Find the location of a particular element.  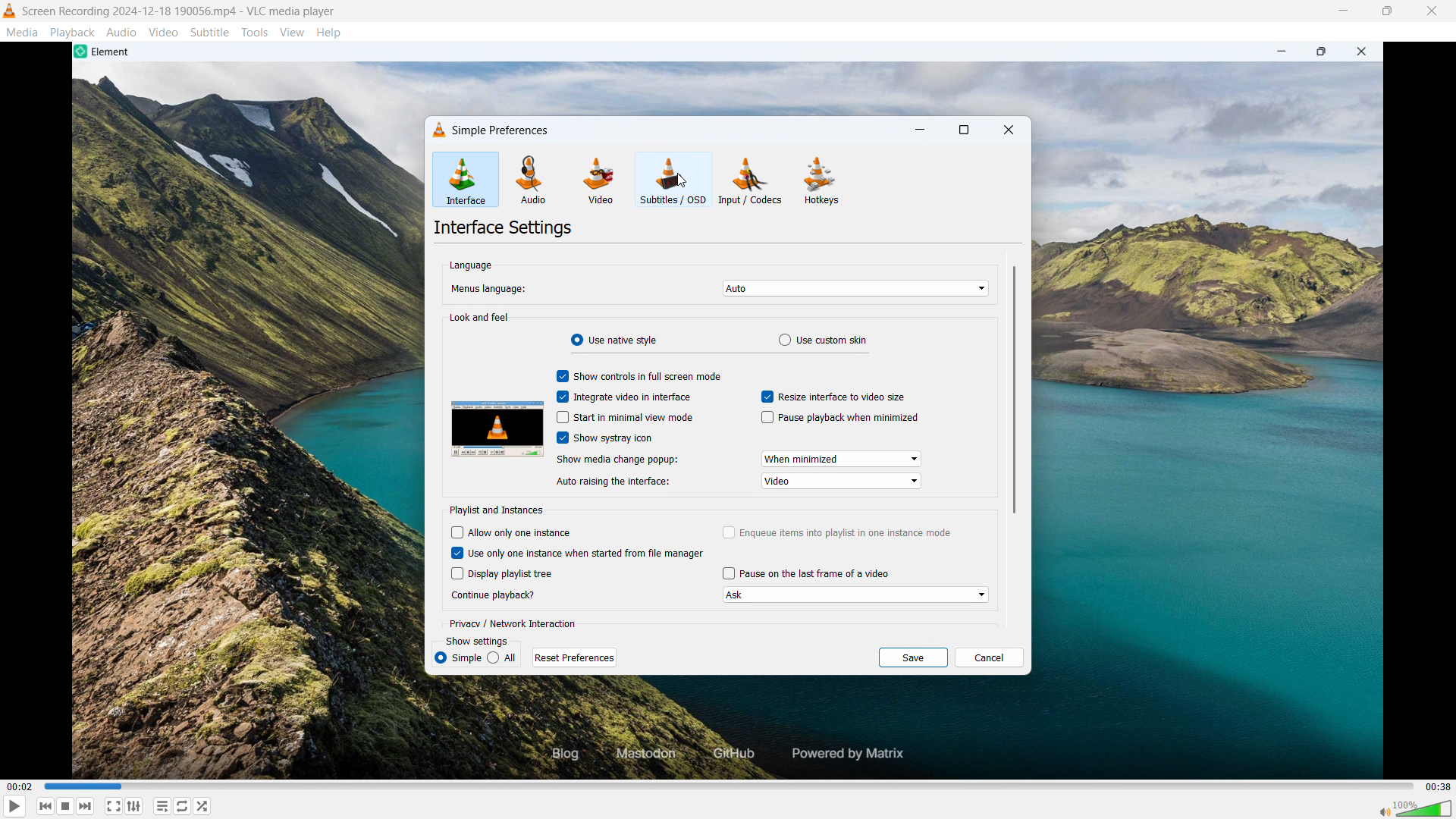

tools is located at coordinates (255, 33).